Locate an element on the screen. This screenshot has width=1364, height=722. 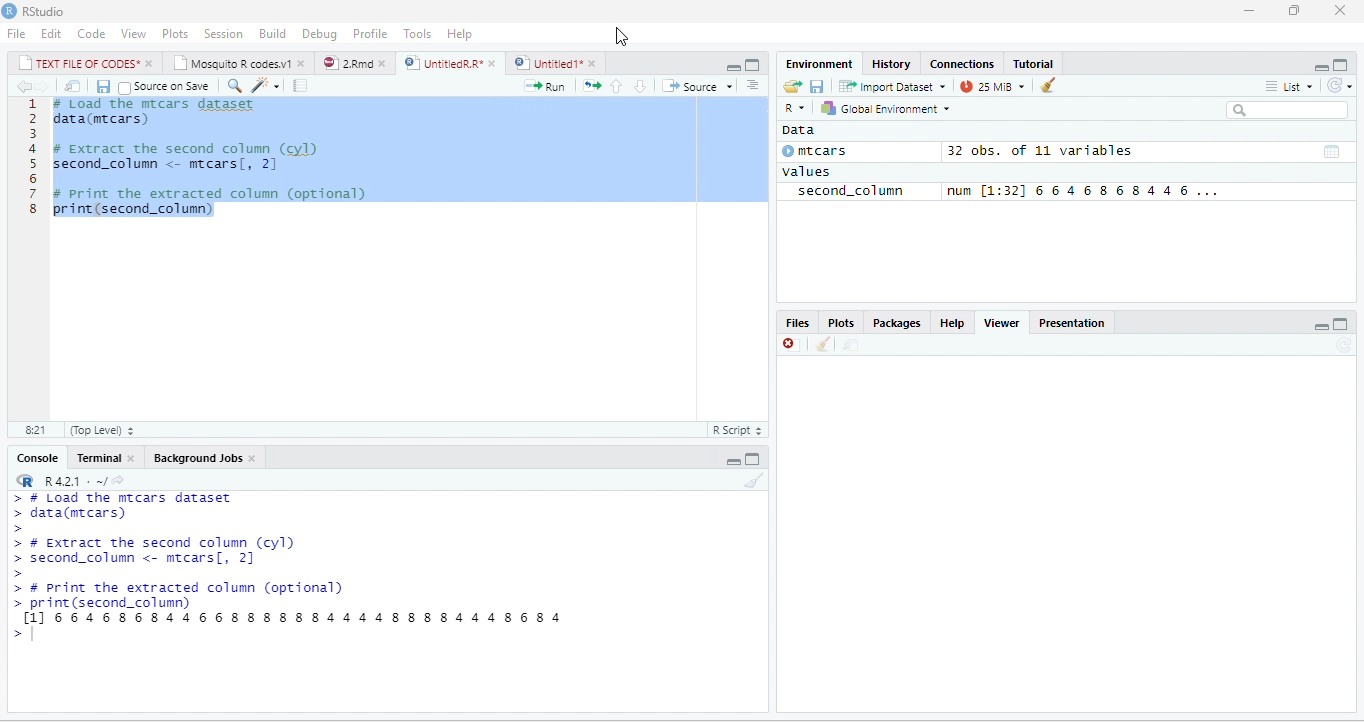
source on save is located at coordinates (171, 86).